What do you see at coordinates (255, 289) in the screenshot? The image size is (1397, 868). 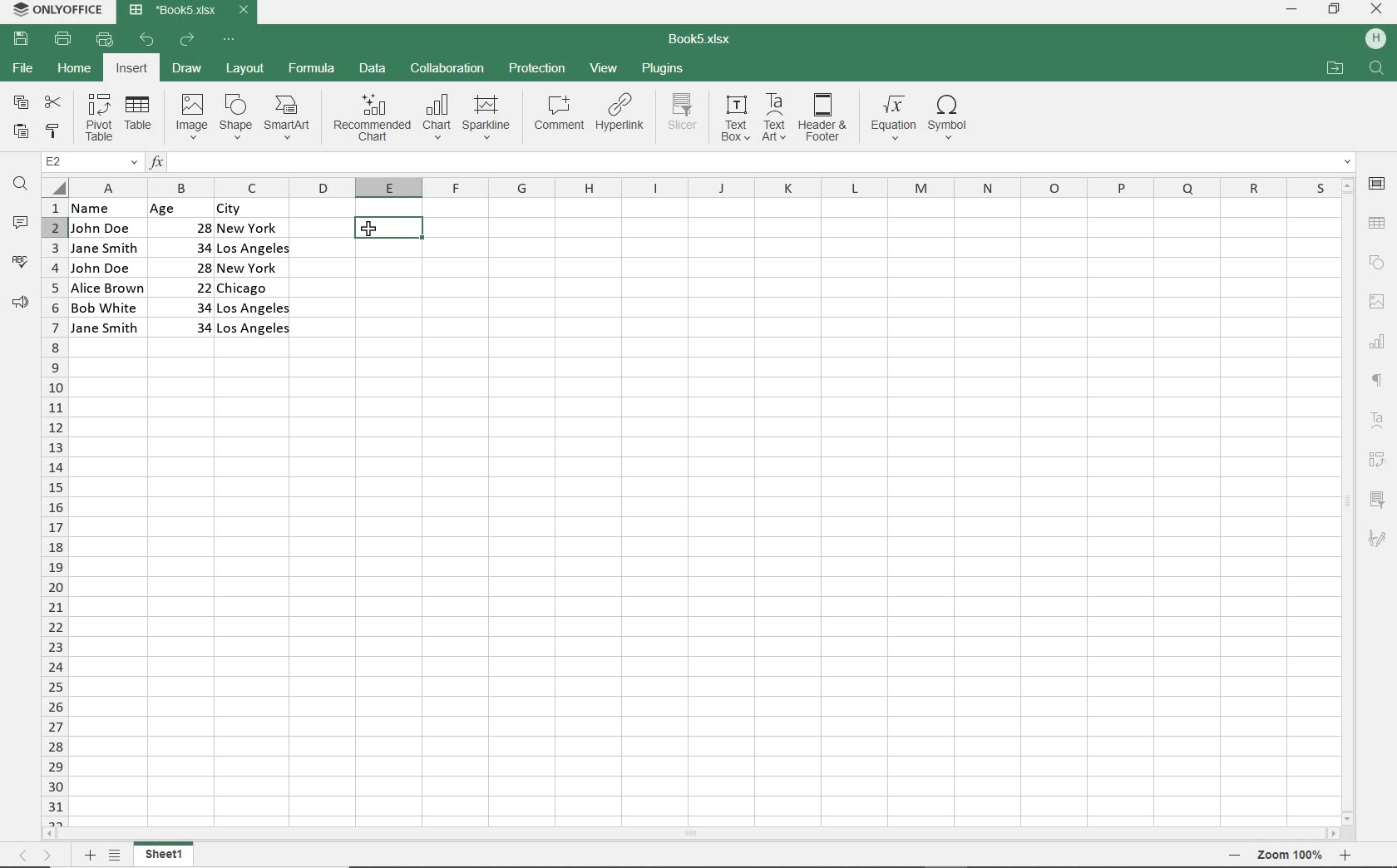 I see `Chicago` at bounding box center [255, 289].